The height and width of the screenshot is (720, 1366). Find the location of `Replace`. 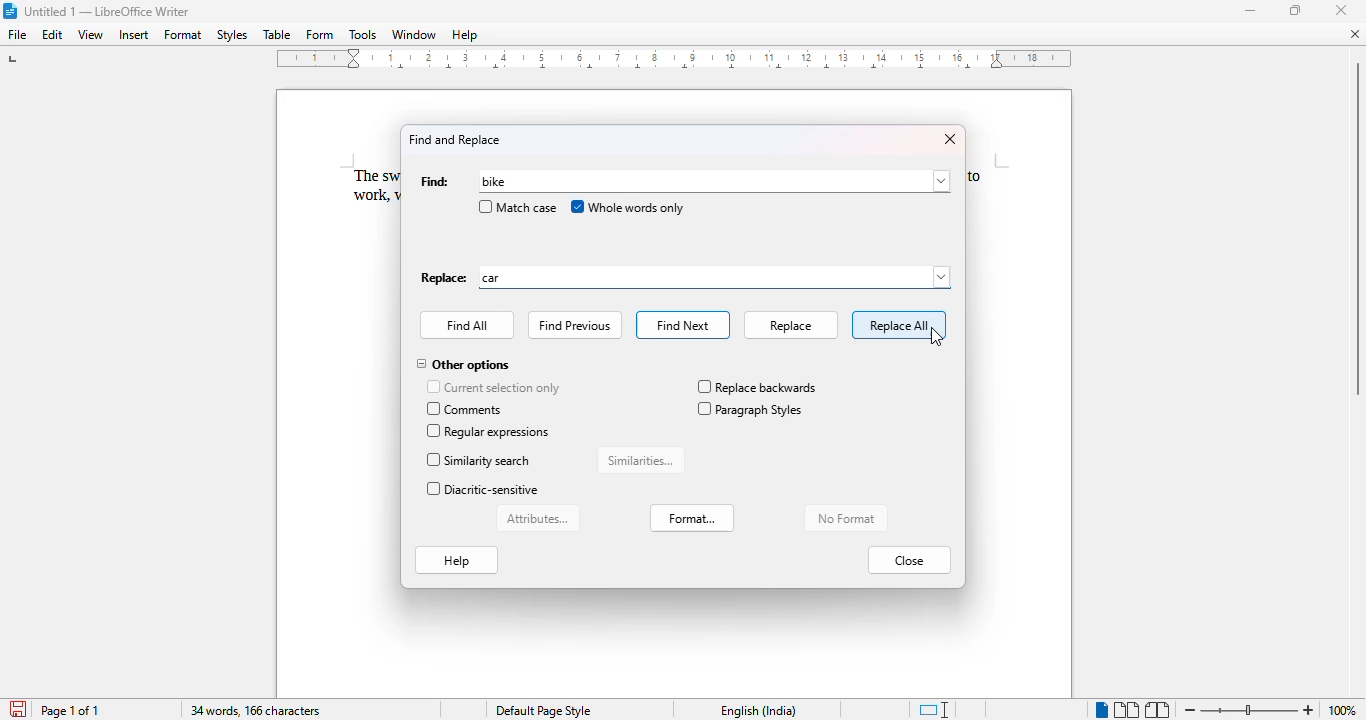

Replace is located at coordinates (442, 279).